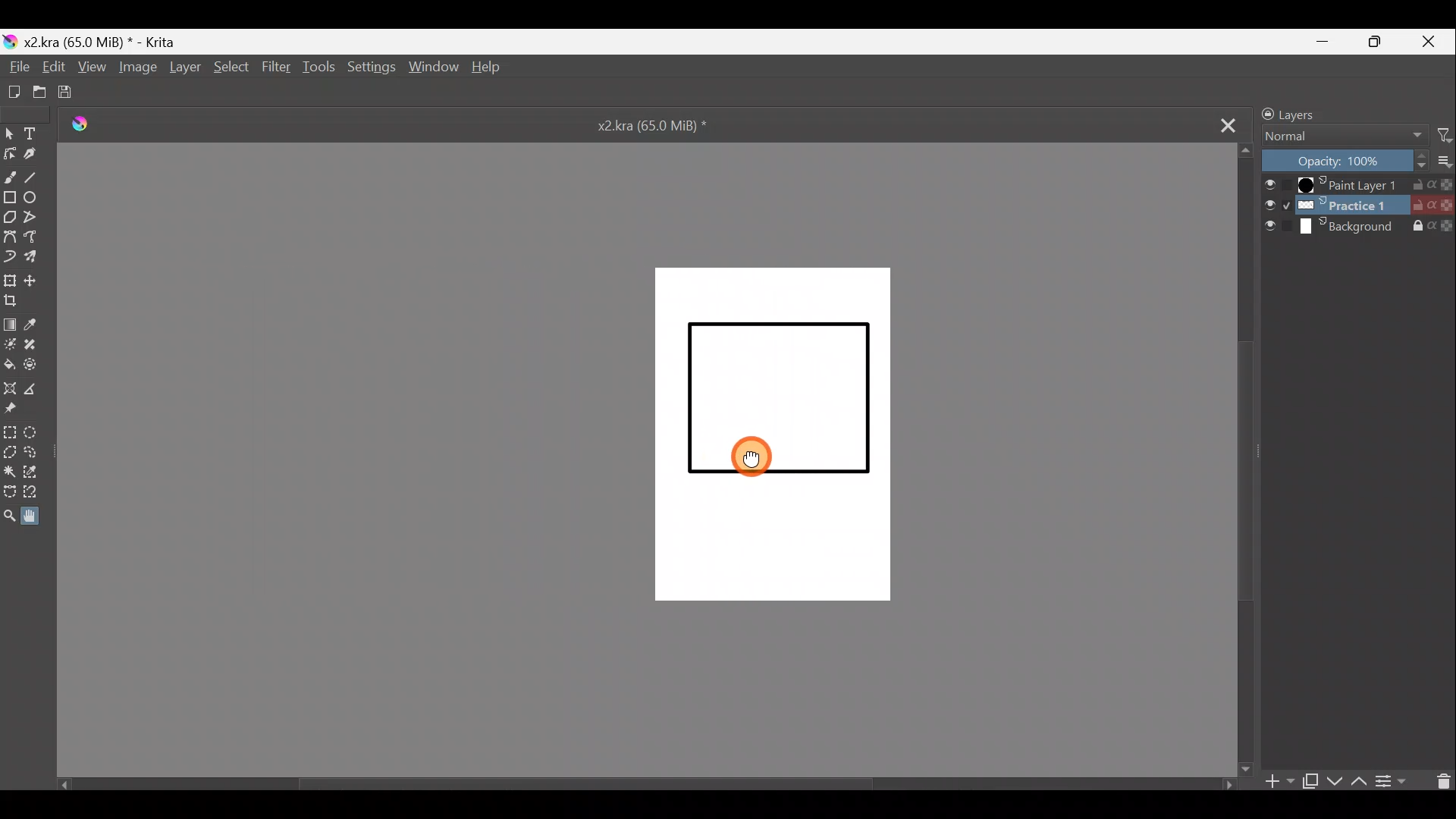 This screenshot has width=1456, height=819. I want to click on Freehand selection tool, so click(33, 454).